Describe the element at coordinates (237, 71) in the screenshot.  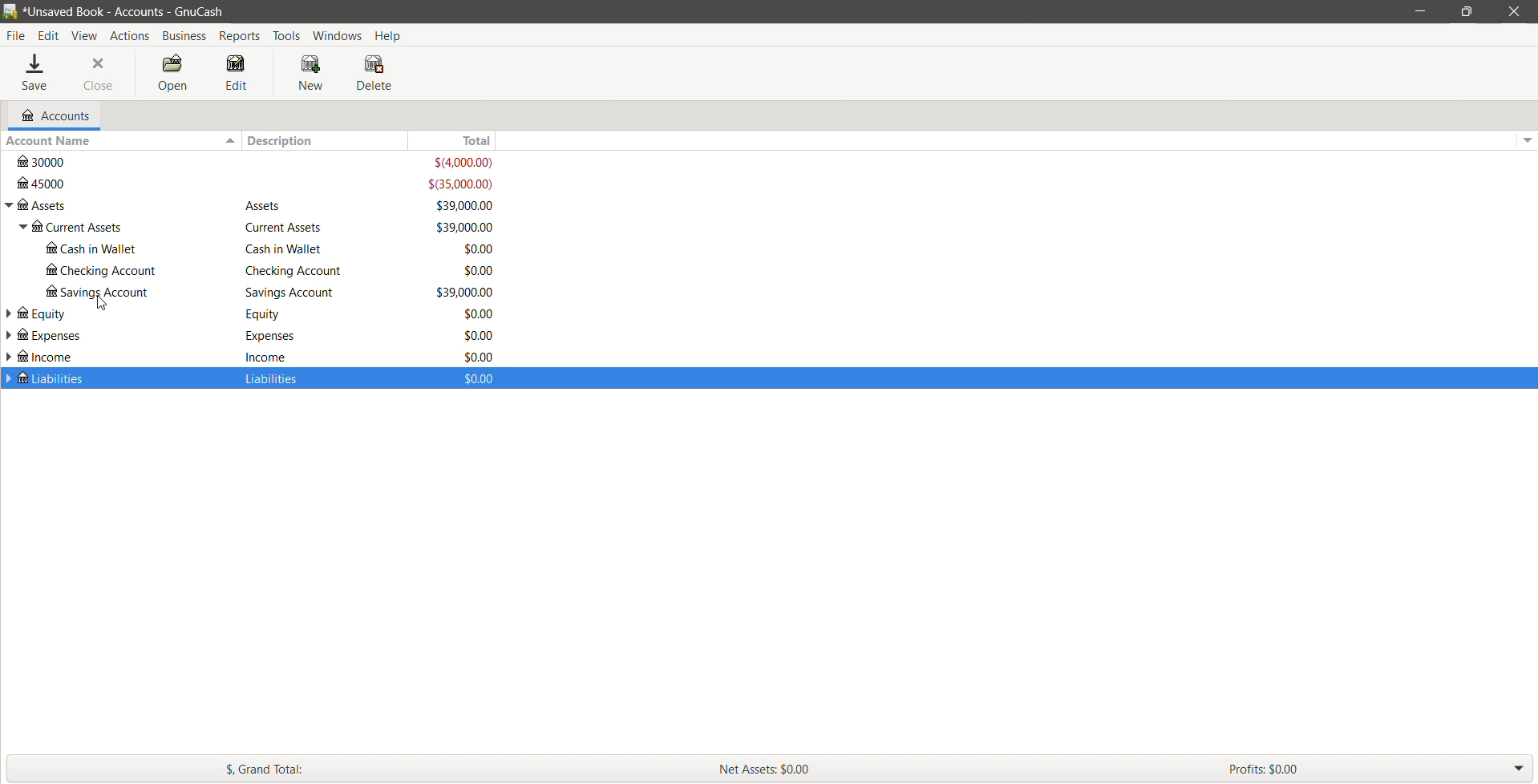
I see `Edit` at that location.